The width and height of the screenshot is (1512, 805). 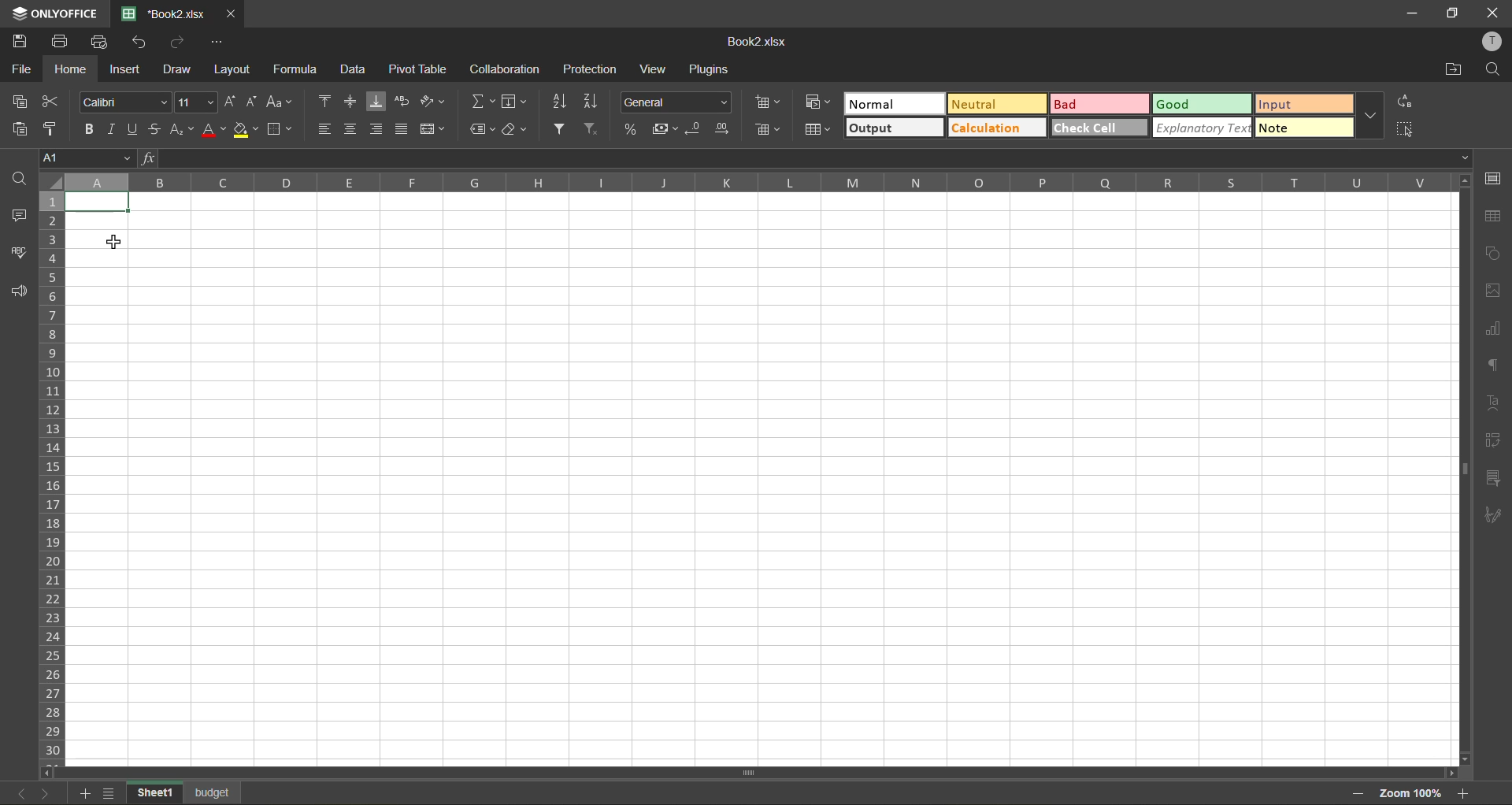 What do you see at coordinates (52, 127) in the screenshot?
I see `copy style` at bounding box center [52, 127].